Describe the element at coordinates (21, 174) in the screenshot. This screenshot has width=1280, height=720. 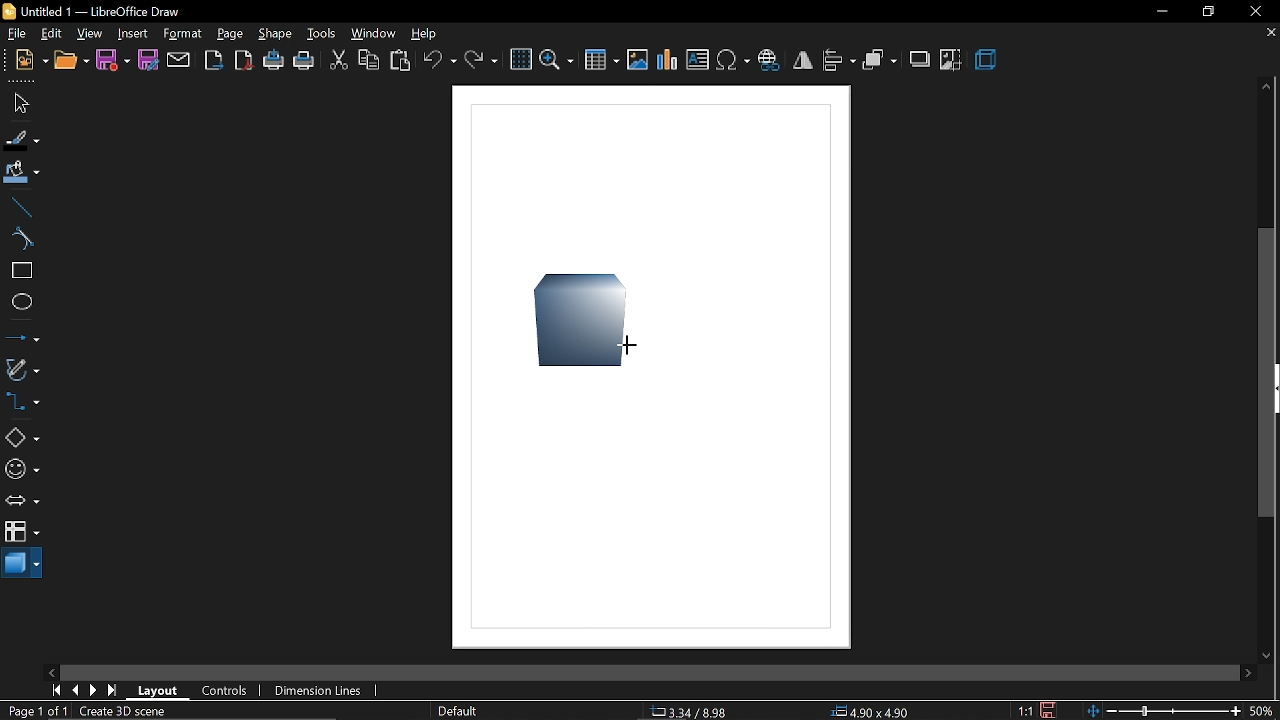
I see `fill color` at that location.